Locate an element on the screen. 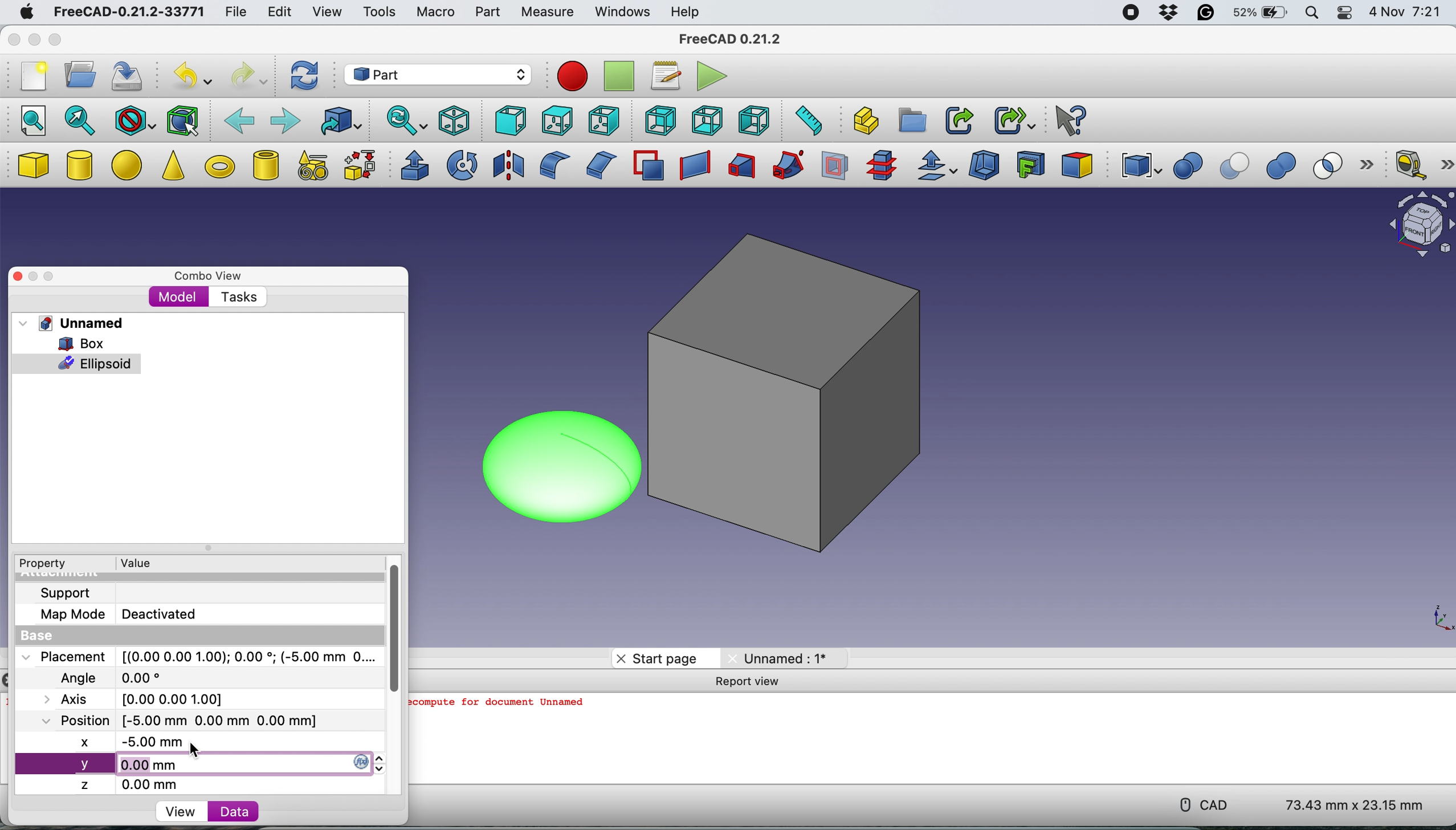 The height and width of the screenshot is (830, 1456). cross section is located at coordinates (882, 166).